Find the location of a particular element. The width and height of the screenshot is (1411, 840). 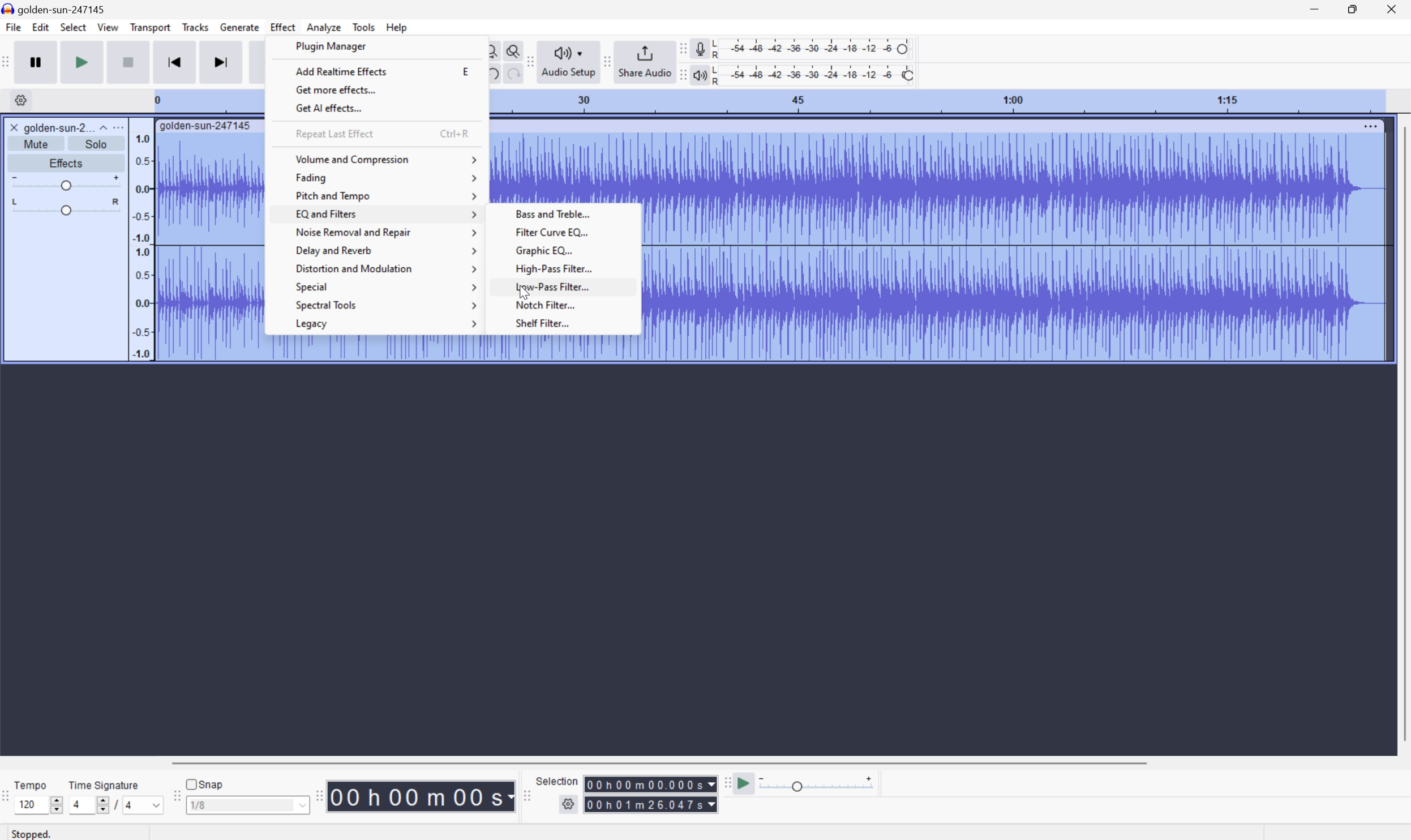

Tempo is located at coordinates (33, 783).